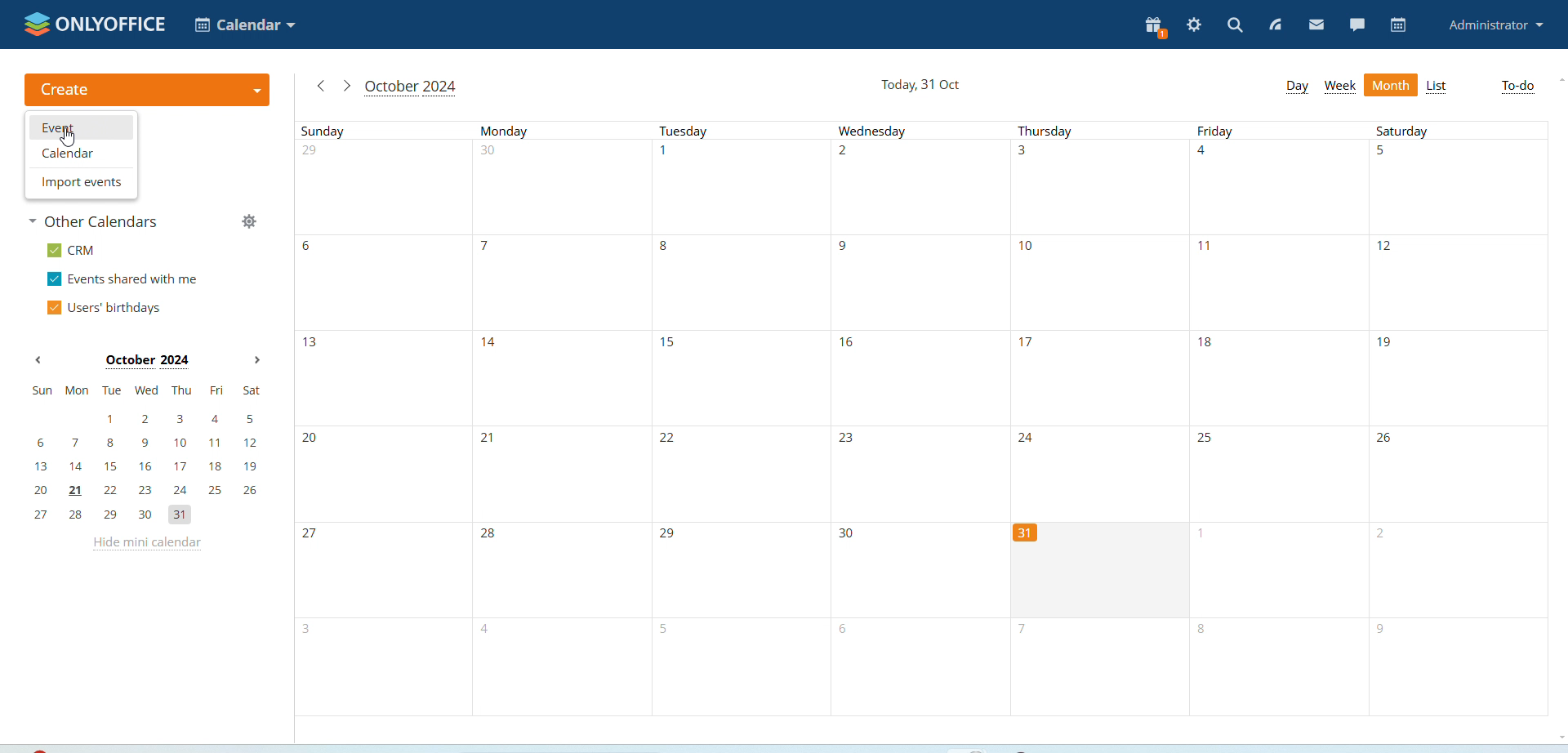 This screenshot has width=1568, height=753. What do you see at coordinates (1517, 87) in the screenshot?
I see `to-do` at bounding box center [1517, 87].